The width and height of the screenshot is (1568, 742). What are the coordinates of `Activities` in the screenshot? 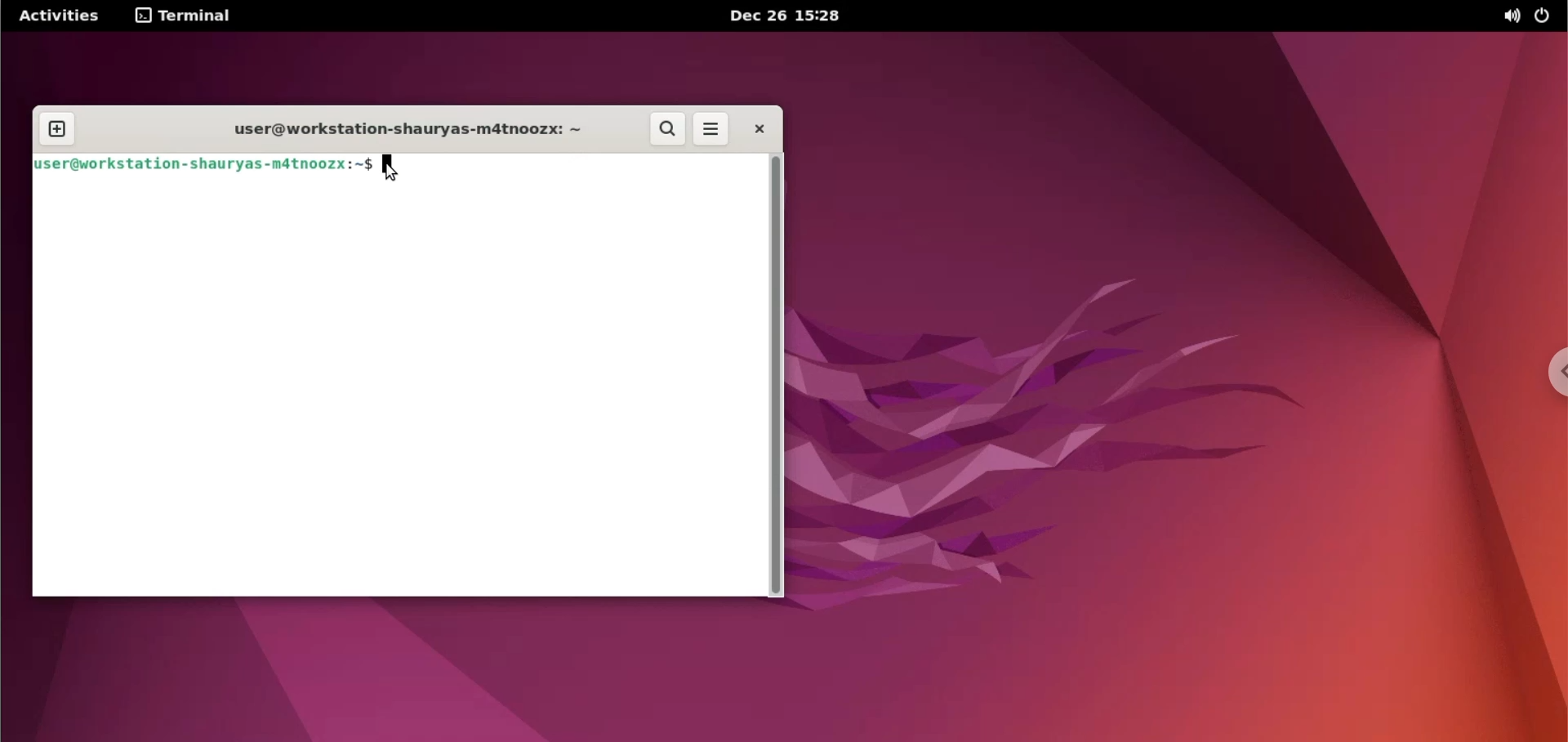 It's located at (60, 16).